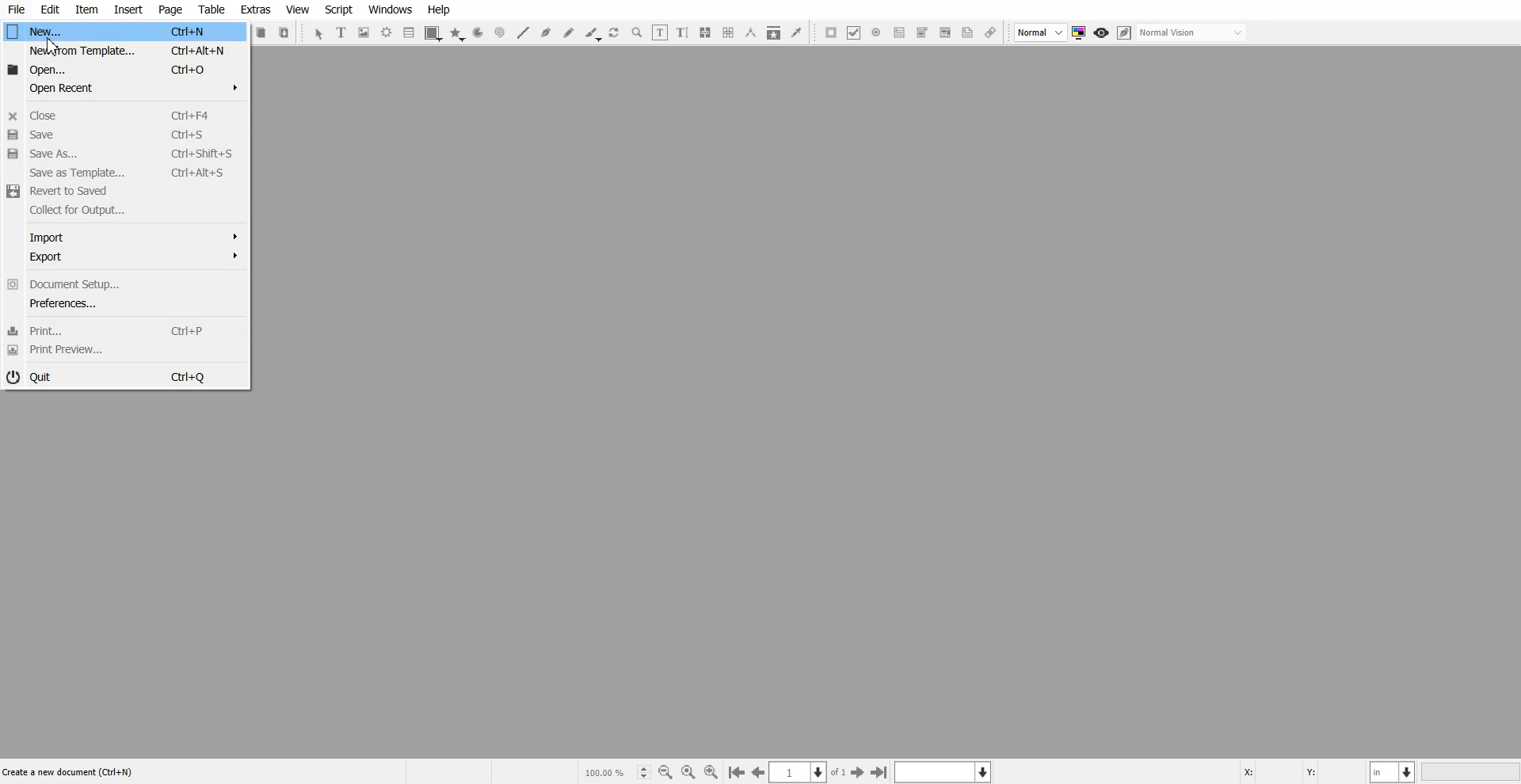  I want to click on Import, so click(123, 237).